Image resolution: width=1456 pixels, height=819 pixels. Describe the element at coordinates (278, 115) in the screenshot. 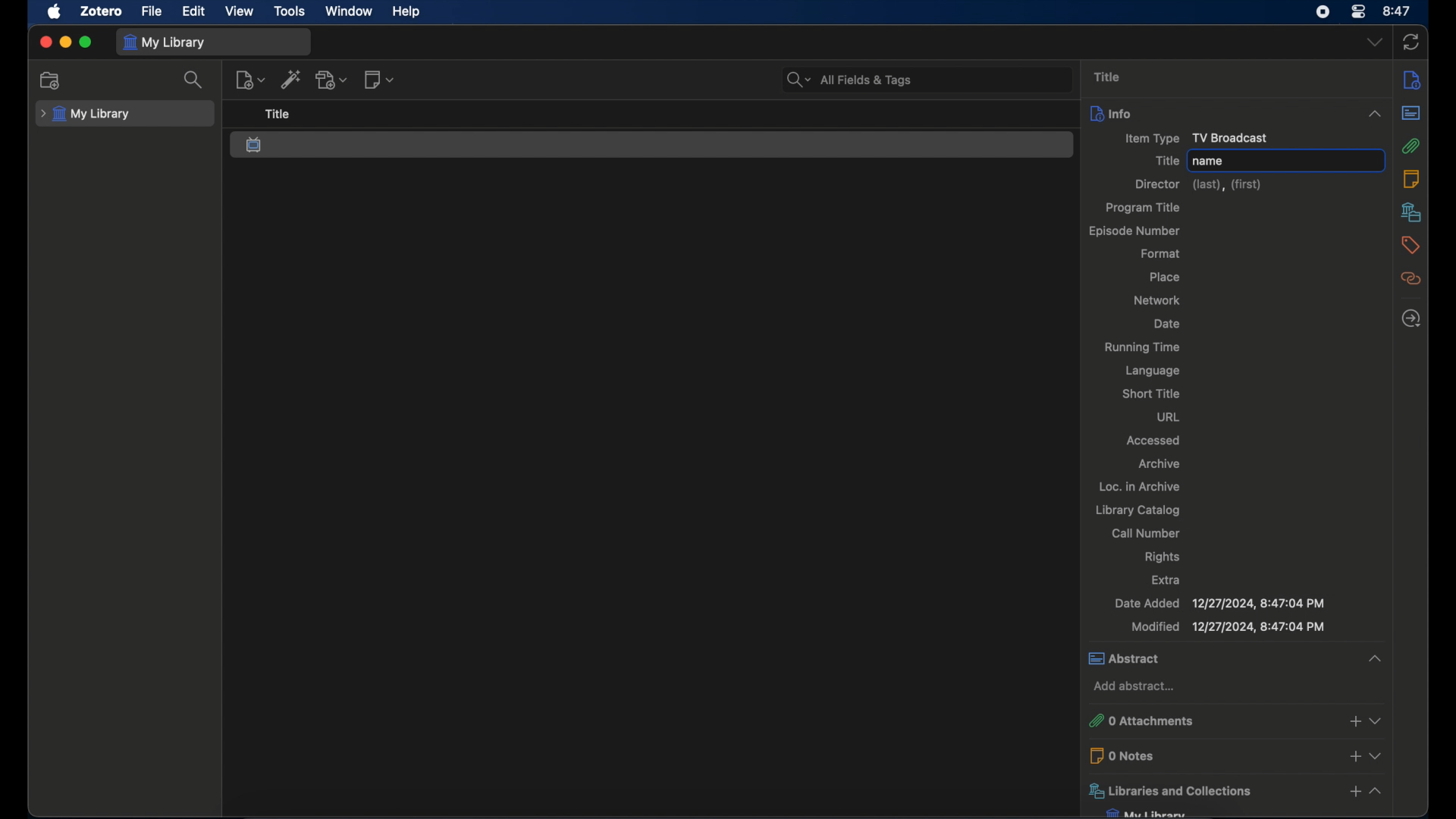

I see `title` at that location.